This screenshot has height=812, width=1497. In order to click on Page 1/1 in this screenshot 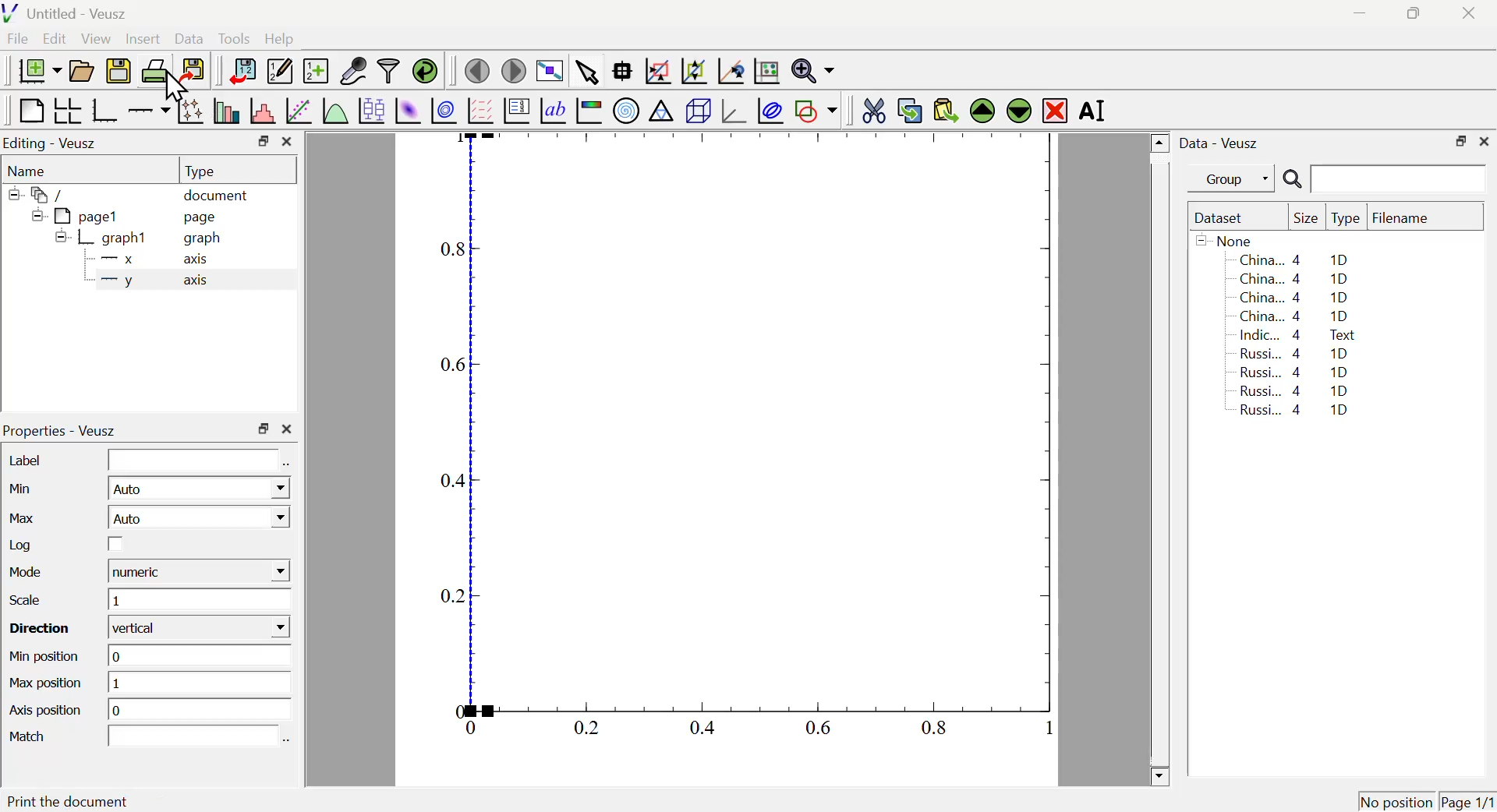, I will do `click(1466, 801)`.